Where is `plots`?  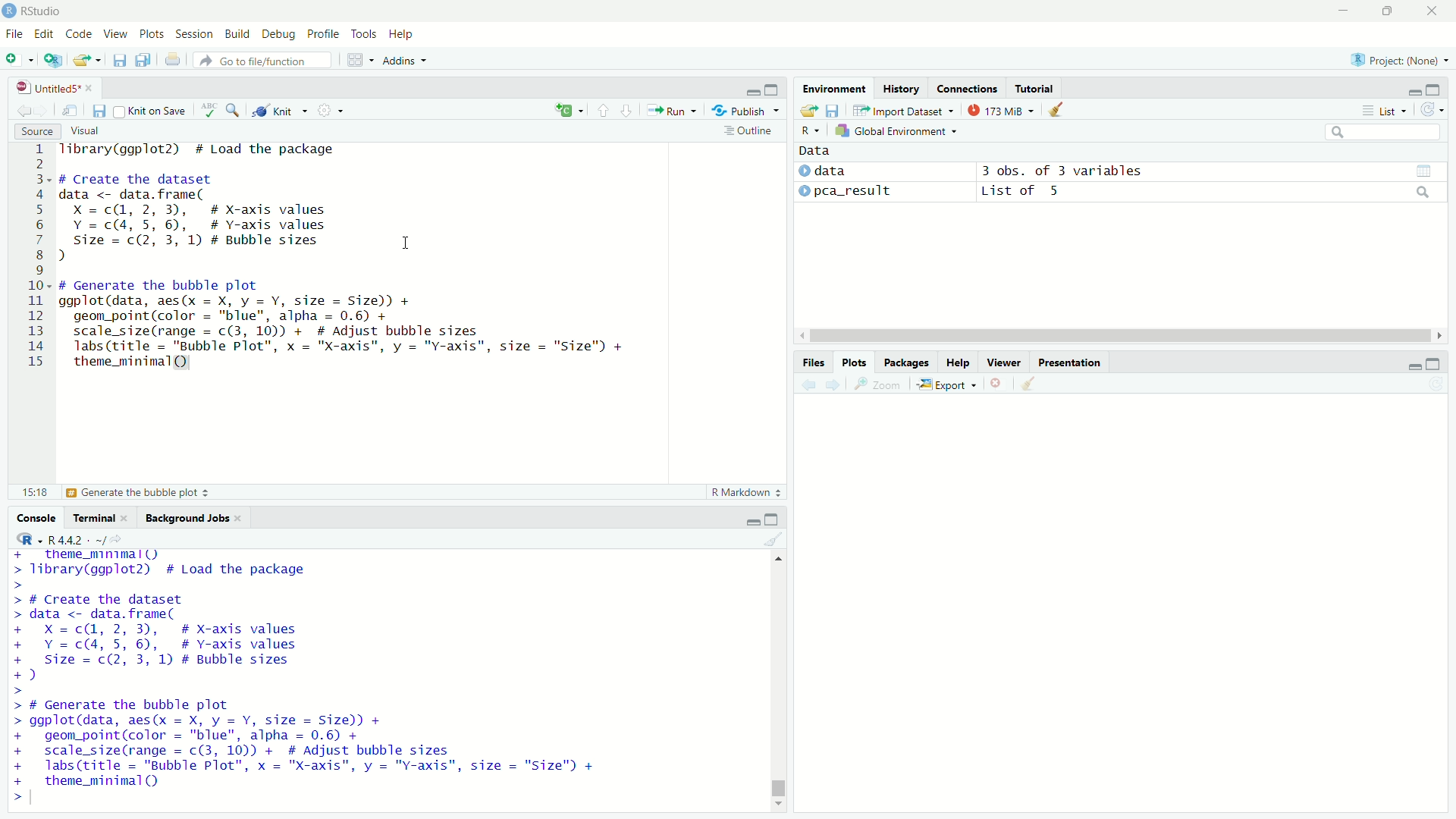
plots is located at coordinates (152, 36).